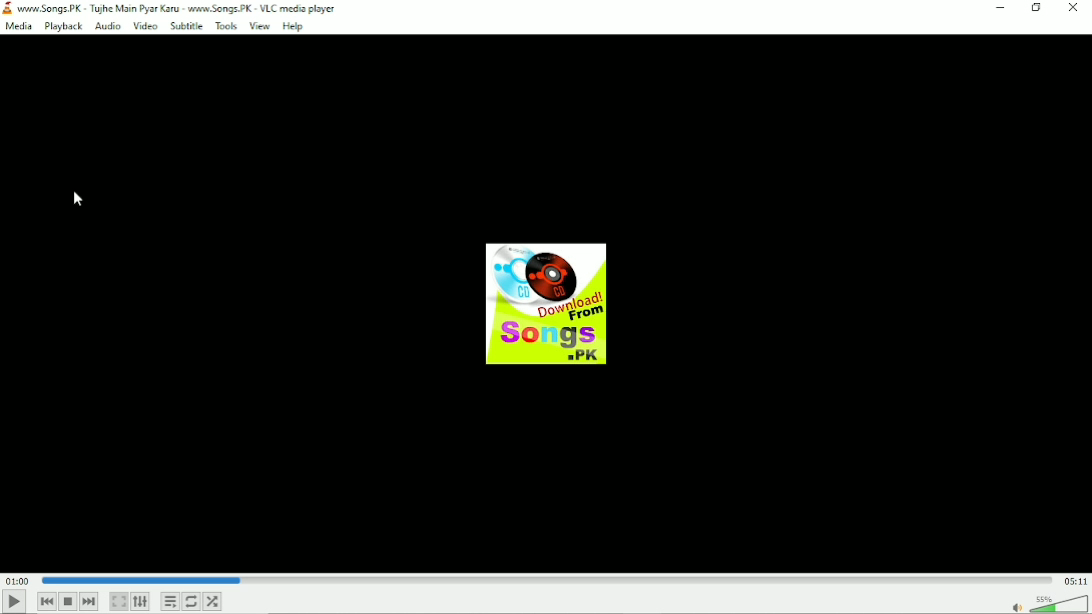 The width and height of the screenshot is (1092, 614). I want to click on Help, so click(295, 27).